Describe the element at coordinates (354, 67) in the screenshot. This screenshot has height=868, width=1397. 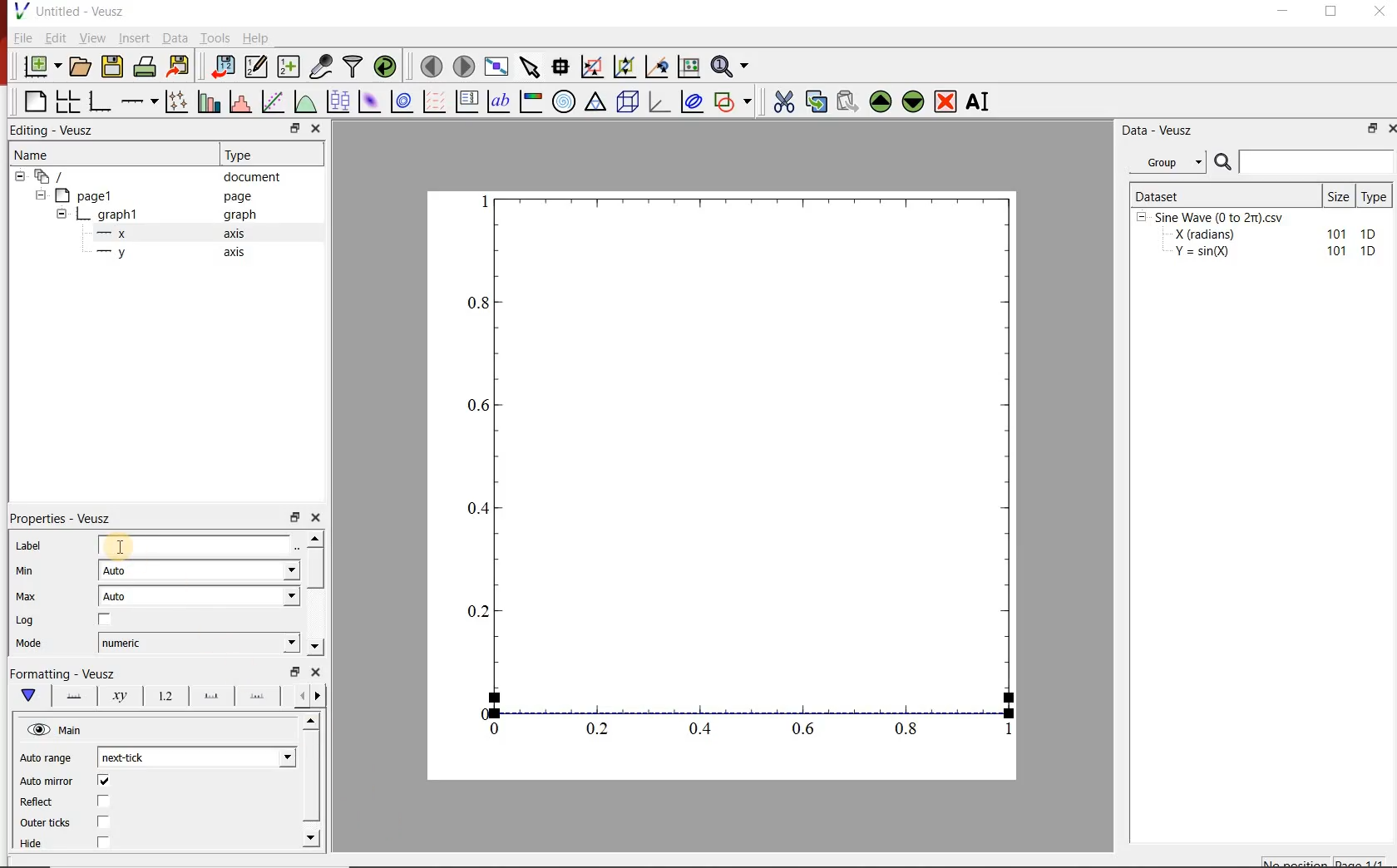
I see `filter data` at that location.